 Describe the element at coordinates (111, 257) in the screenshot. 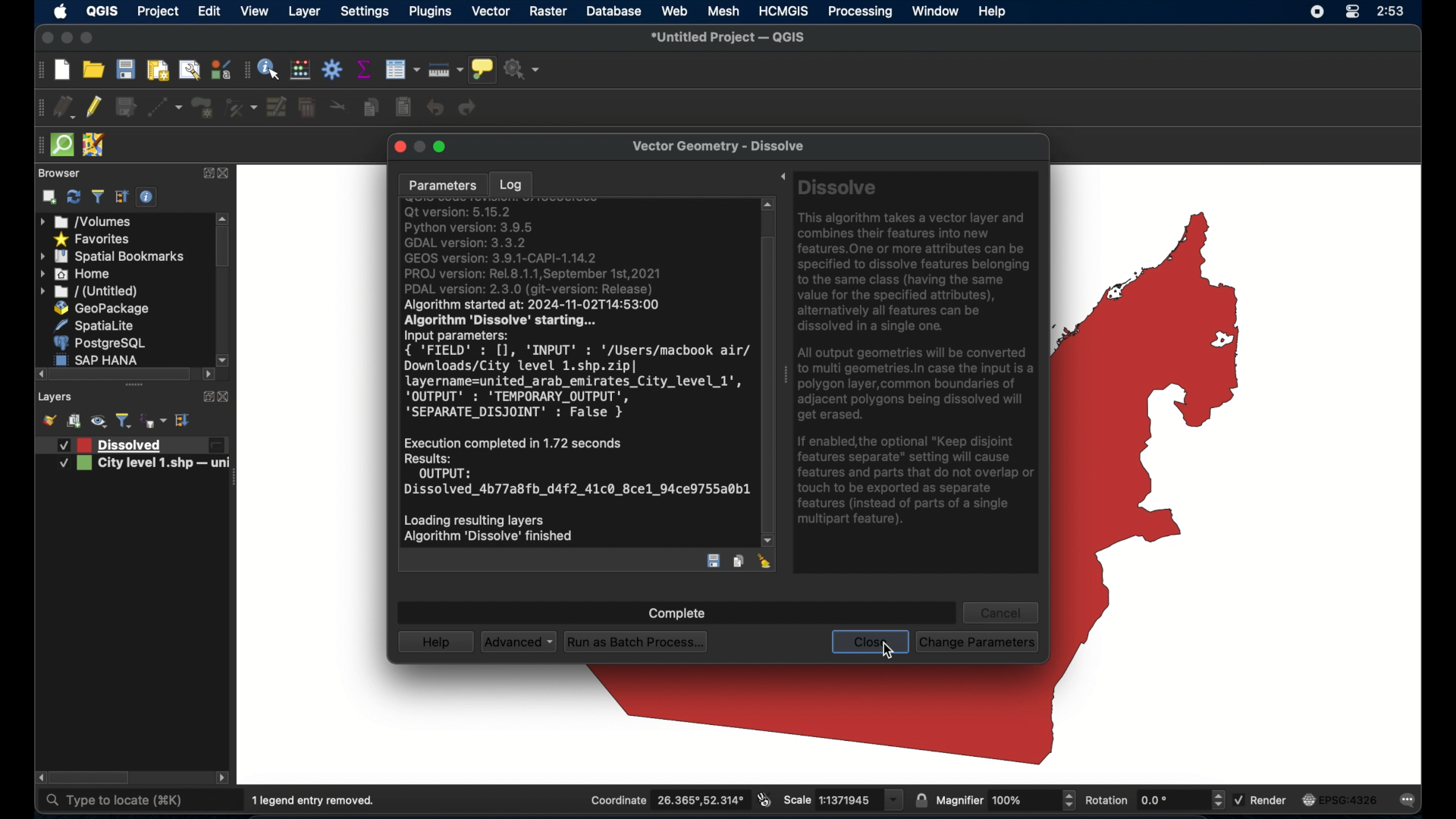

I see `spatial bookmarks` at that location.